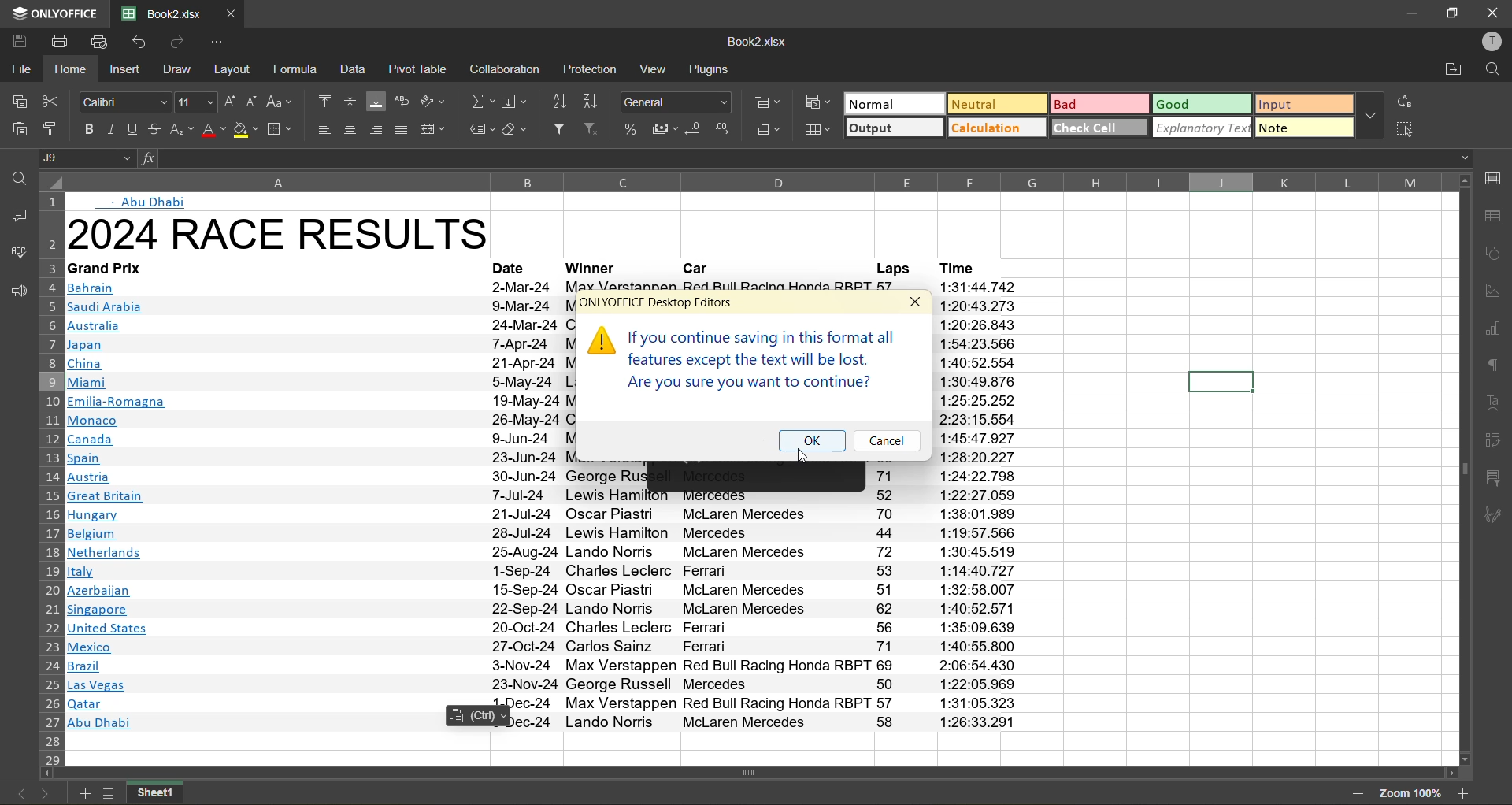 Image resolution: width=1512 pixels, height=805 pixels. What do you see at coordinates (61, 42) in the screenshot?
I see `print` at bounding box center [61, 42].